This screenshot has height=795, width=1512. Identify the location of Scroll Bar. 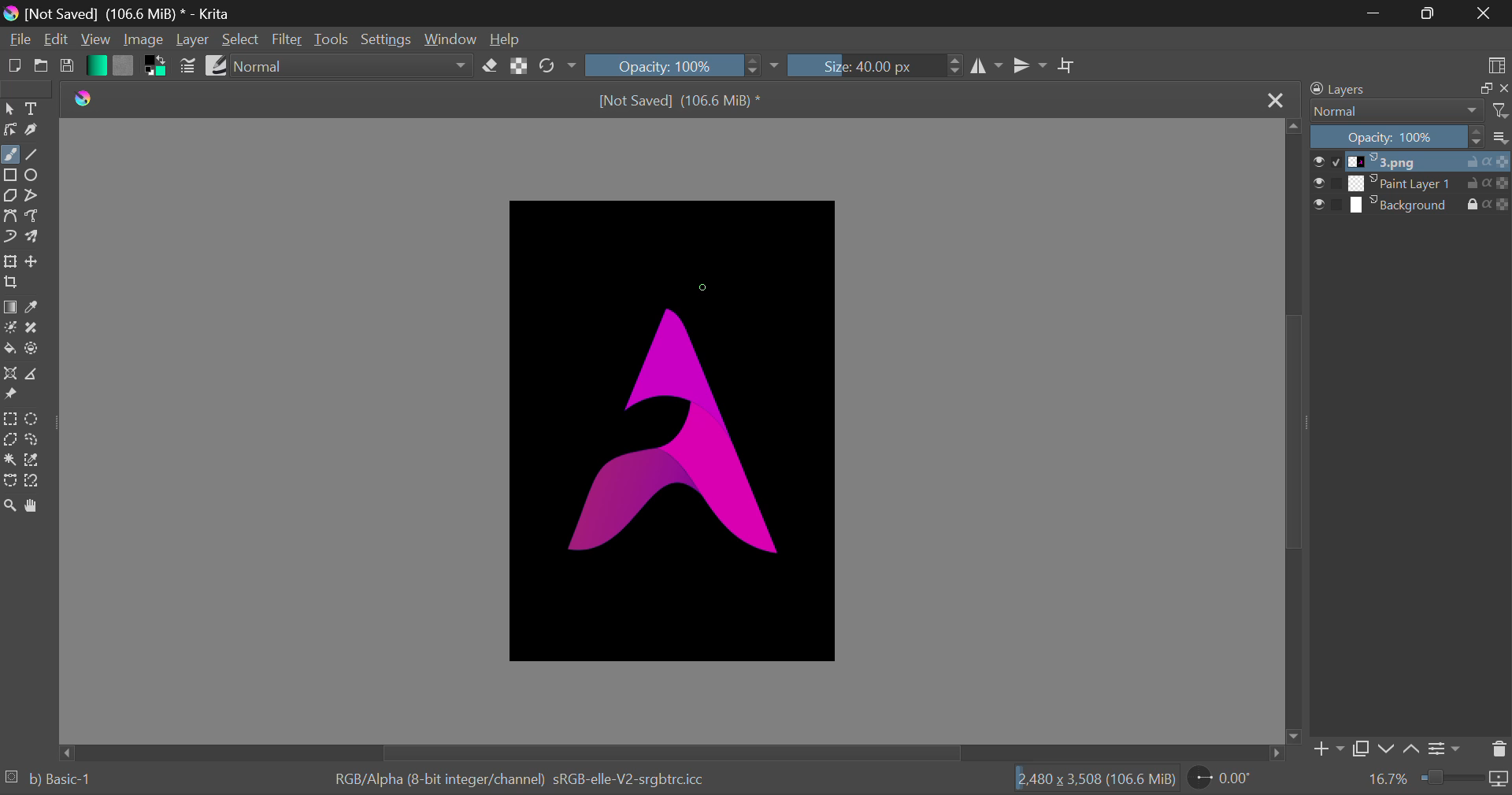
(668, 753).